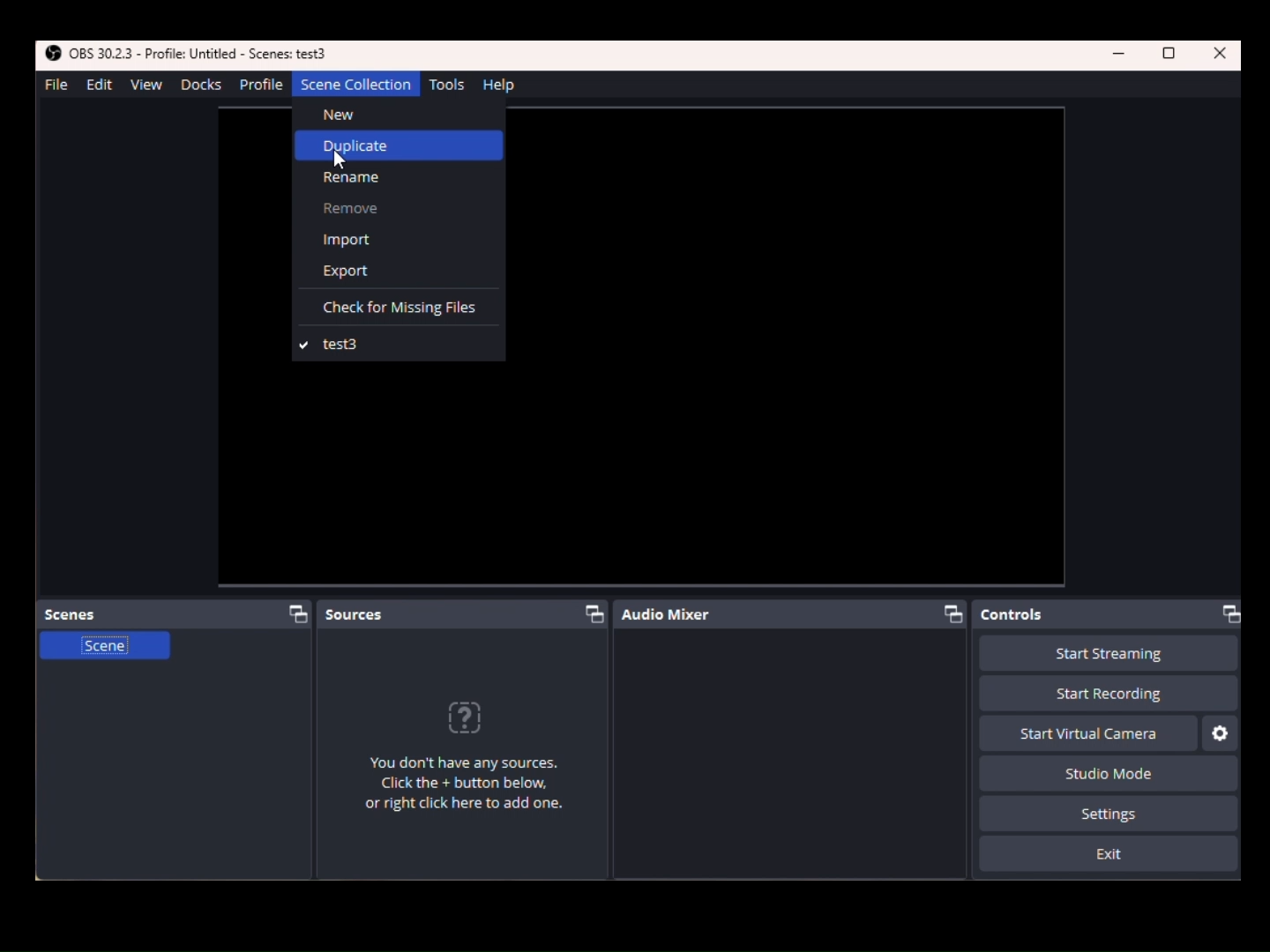 Image resolution: width=1270 pixels, height=952 pixels. Describe the element at coordinates (399, 145) in the screenshot. I see `Duplicate` at that location.